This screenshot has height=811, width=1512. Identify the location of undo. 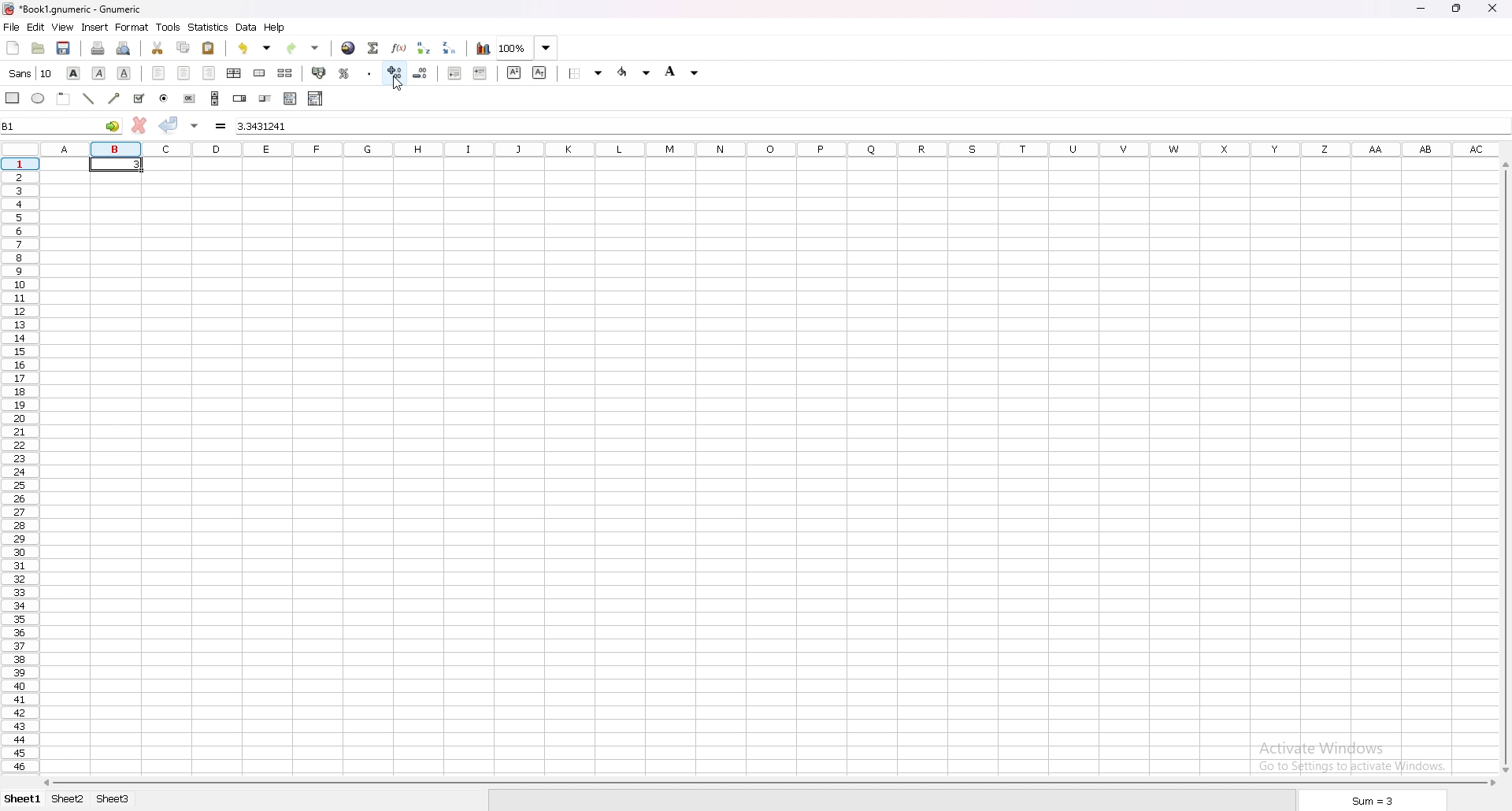
(256, 47).